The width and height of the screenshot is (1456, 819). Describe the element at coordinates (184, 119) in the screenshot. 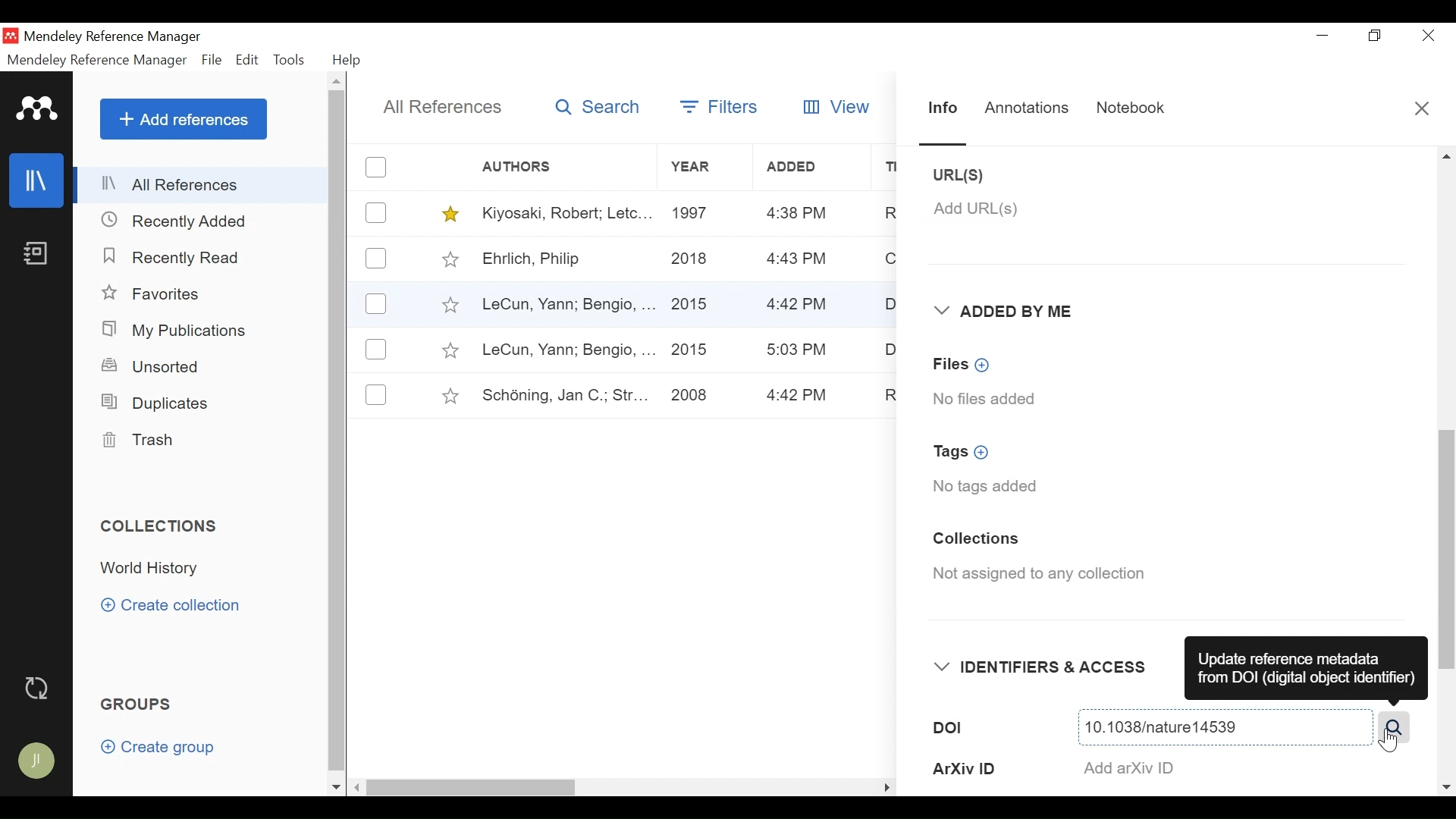

I see `Add References` at that location.